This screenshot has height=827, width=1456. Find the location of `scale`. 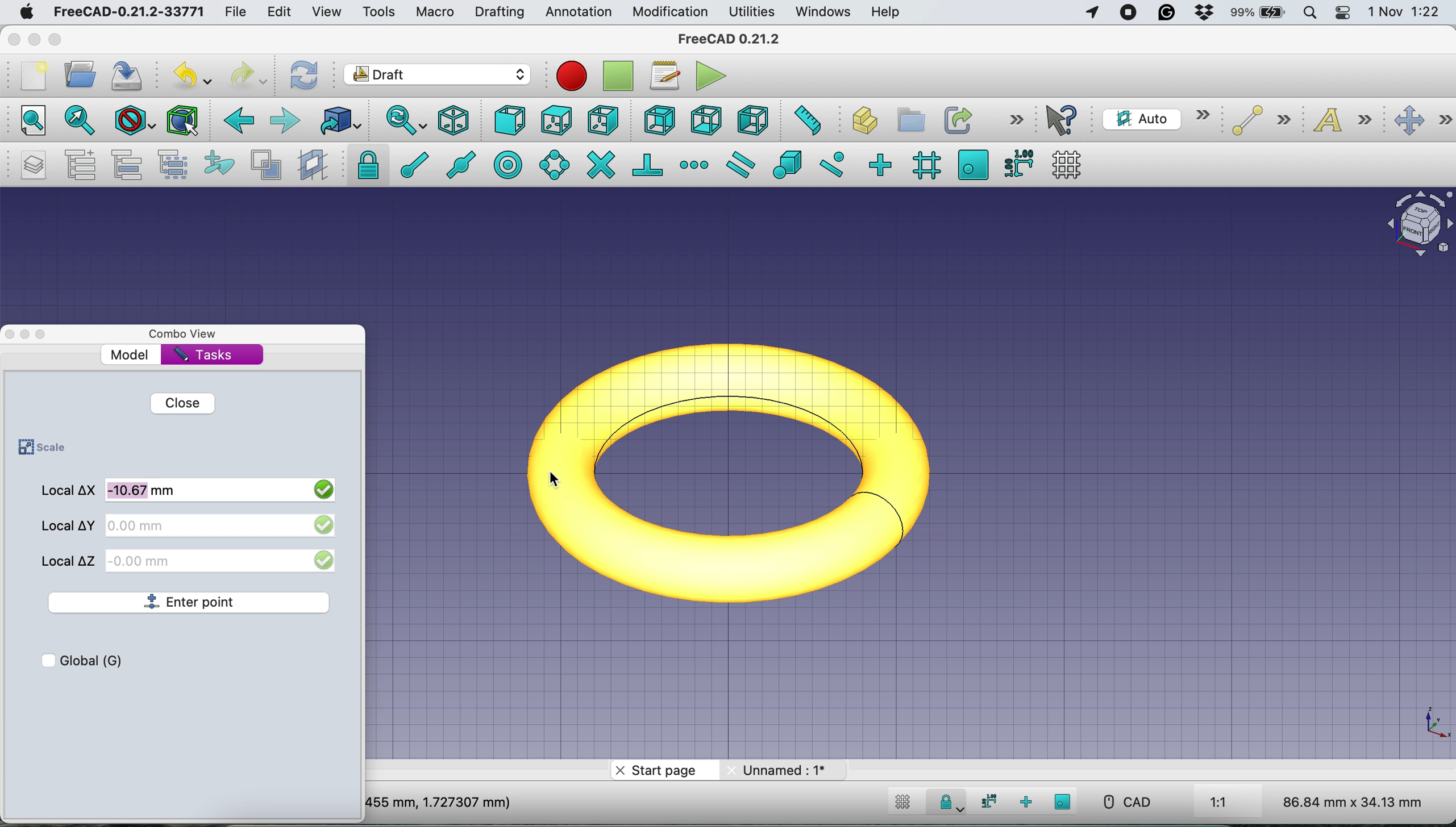

scale is located at coordinates (39, 448).